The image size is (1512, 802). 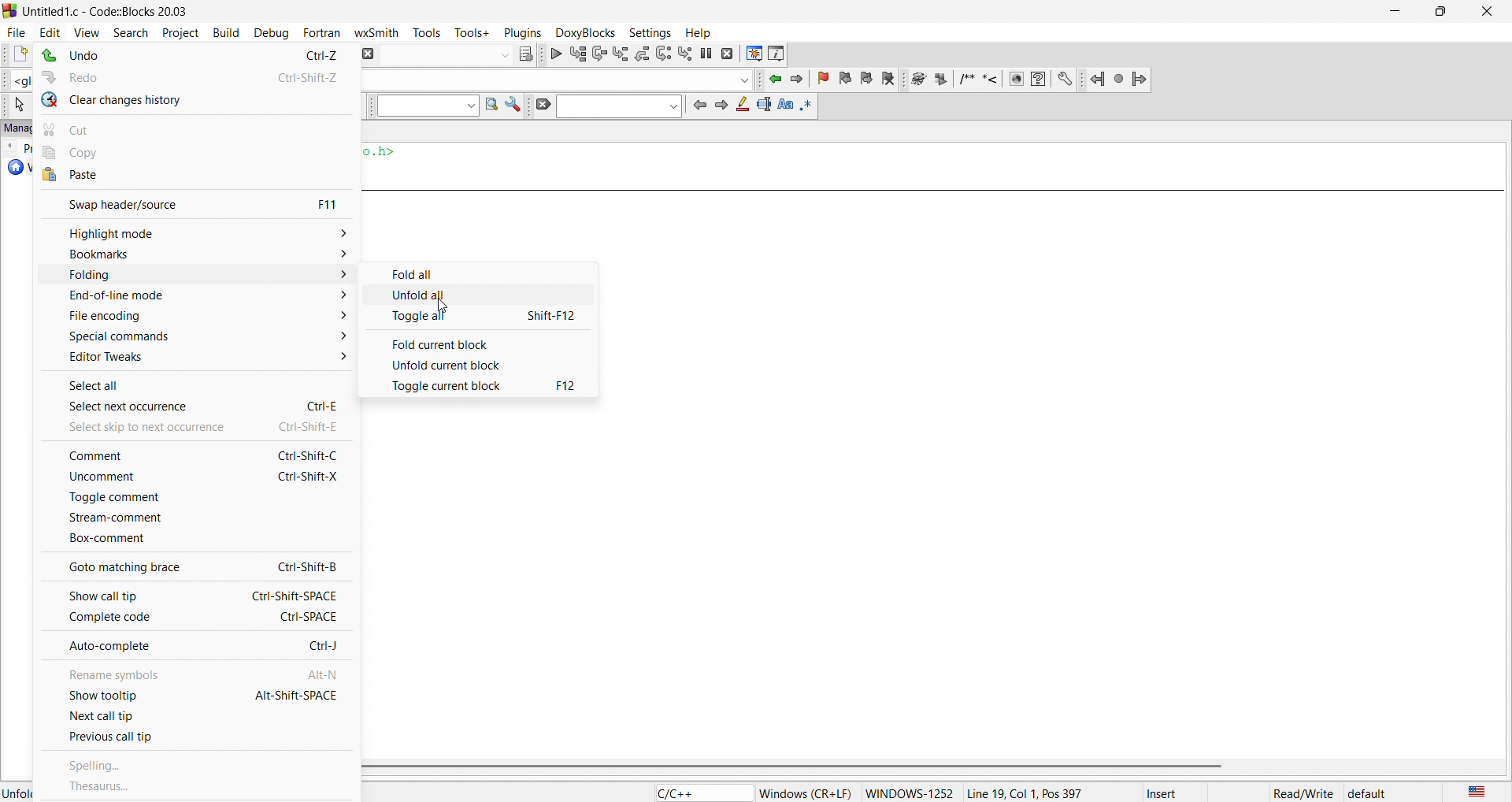 What do you see at coordinates (423, 106) in the screenshot?
I see `search box` at bounding box center [423, 106].